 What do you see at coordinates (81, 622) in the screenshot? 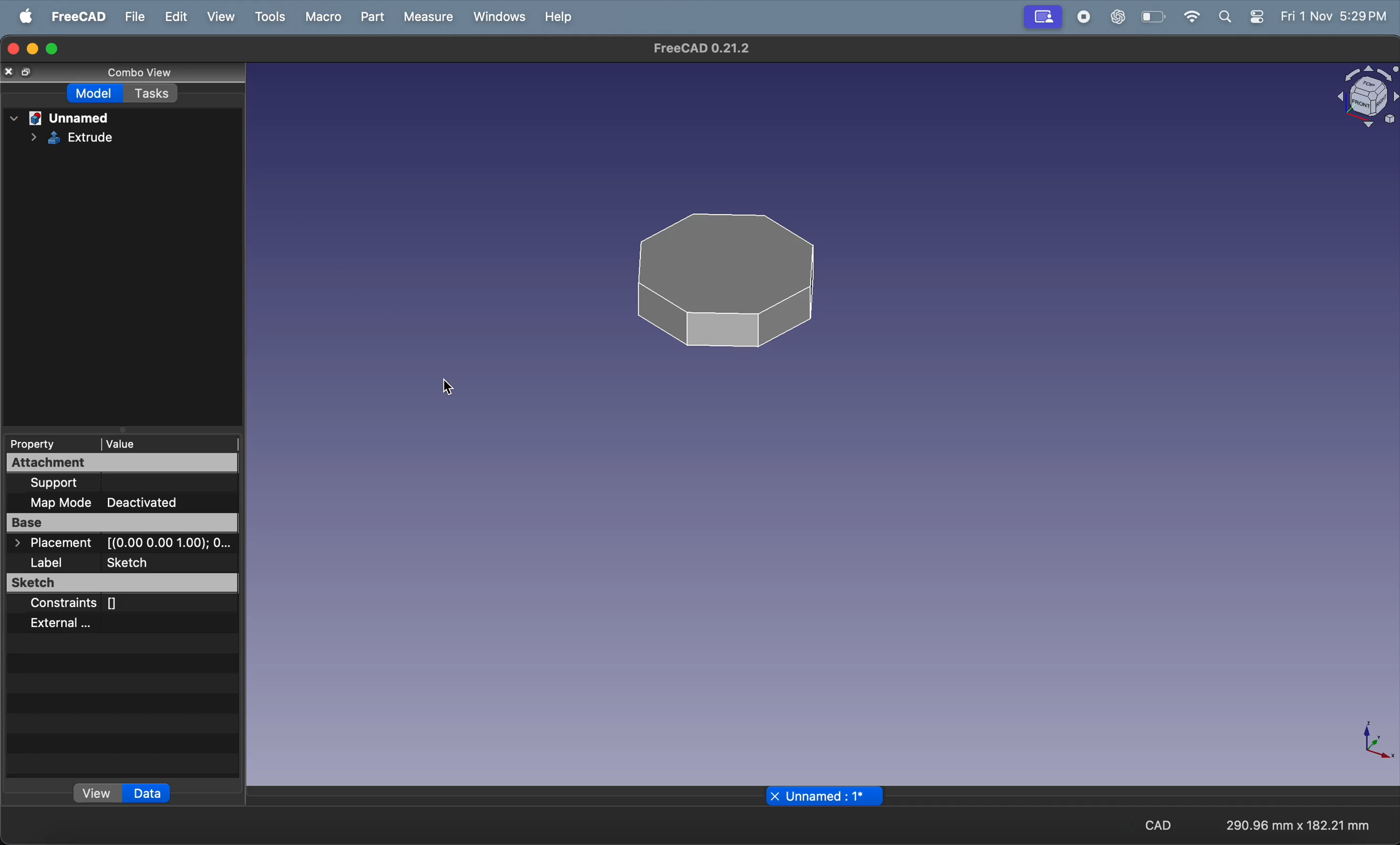
I see `external` at bounding box center [81, 622].